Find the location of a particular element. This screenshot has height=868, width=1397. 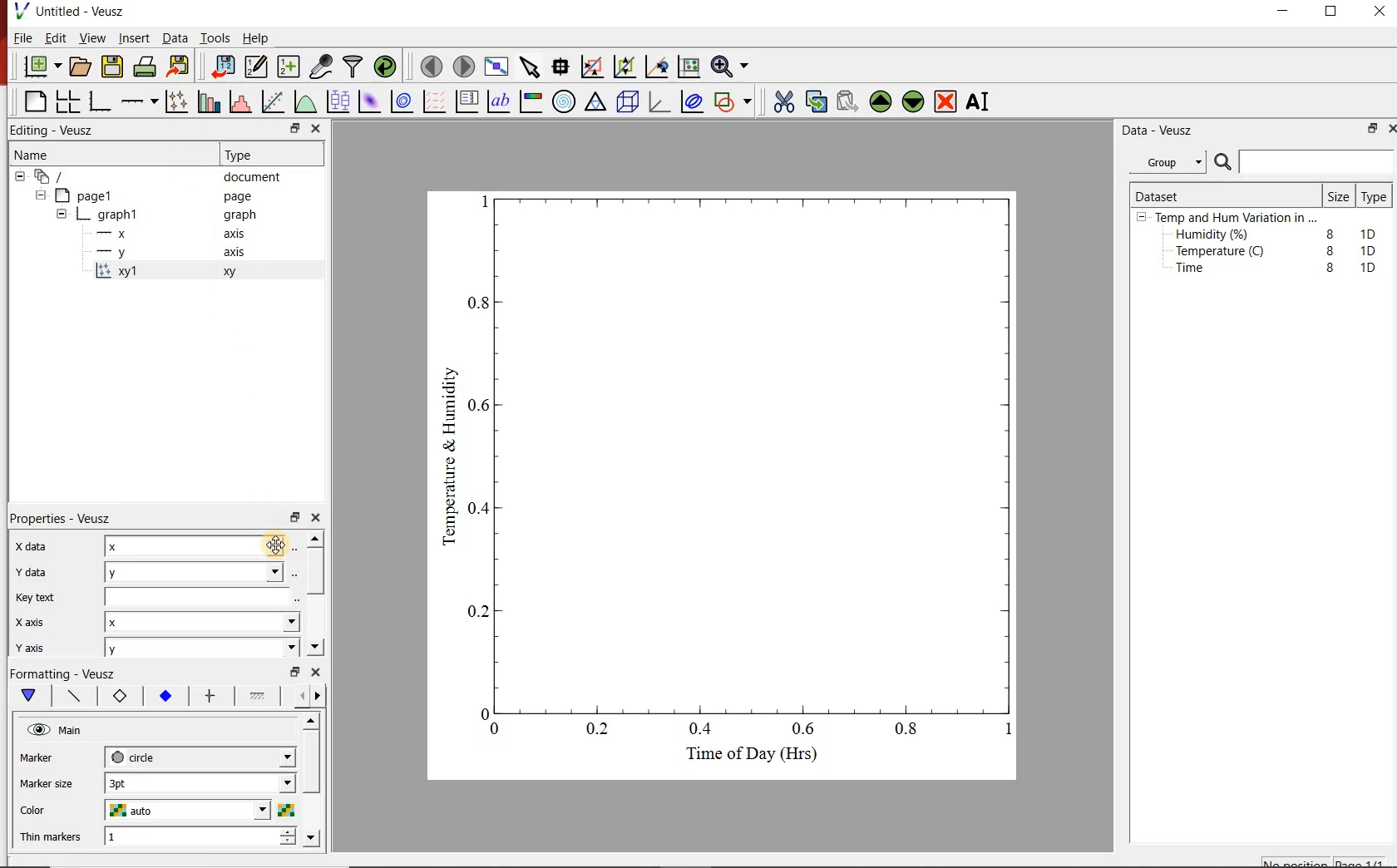

copy the selected widget is located at coordinates (816, 101).